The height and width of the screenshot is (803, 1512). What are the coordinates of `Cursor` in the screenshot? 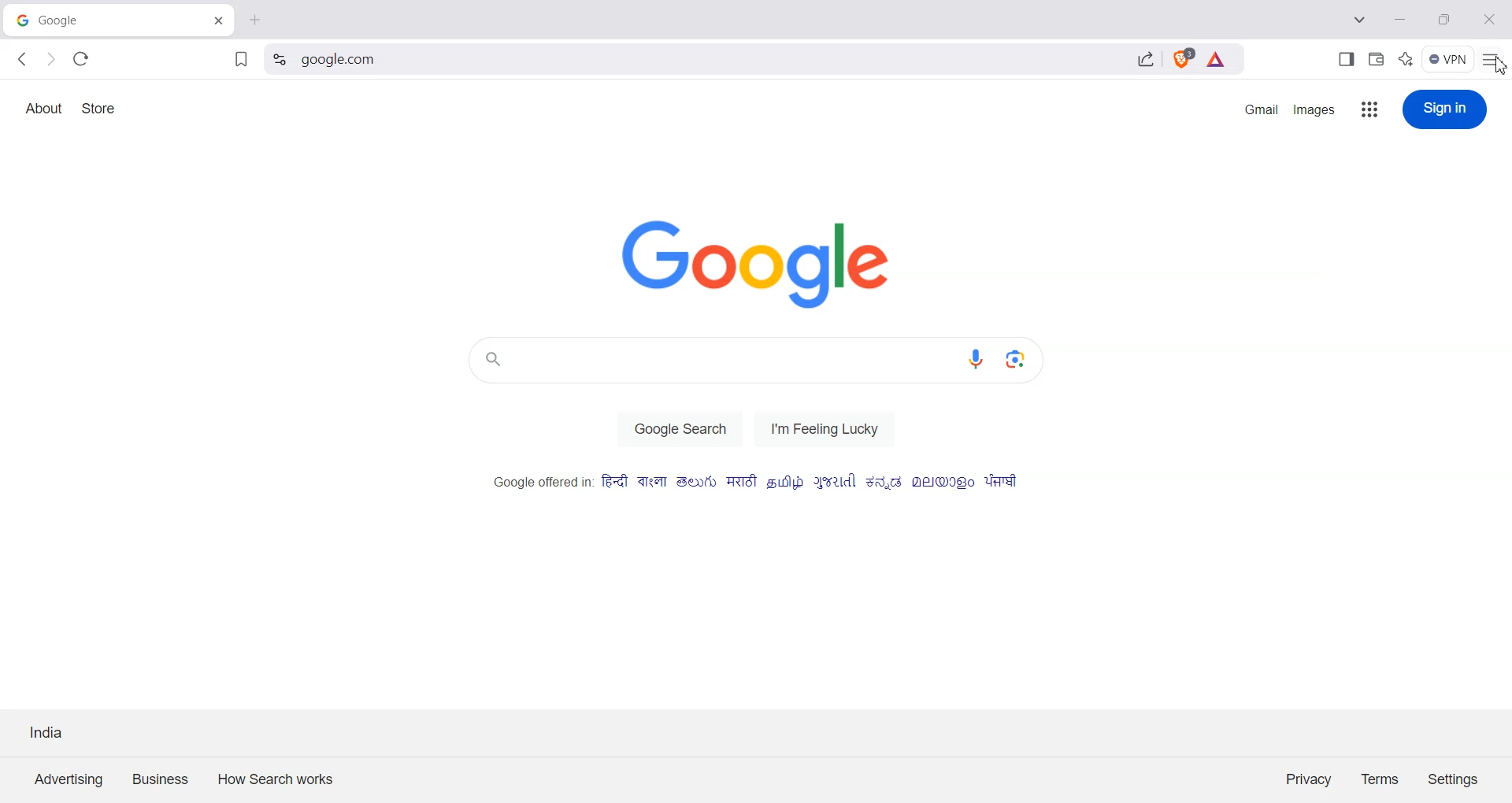 It's located at (1501, 65).